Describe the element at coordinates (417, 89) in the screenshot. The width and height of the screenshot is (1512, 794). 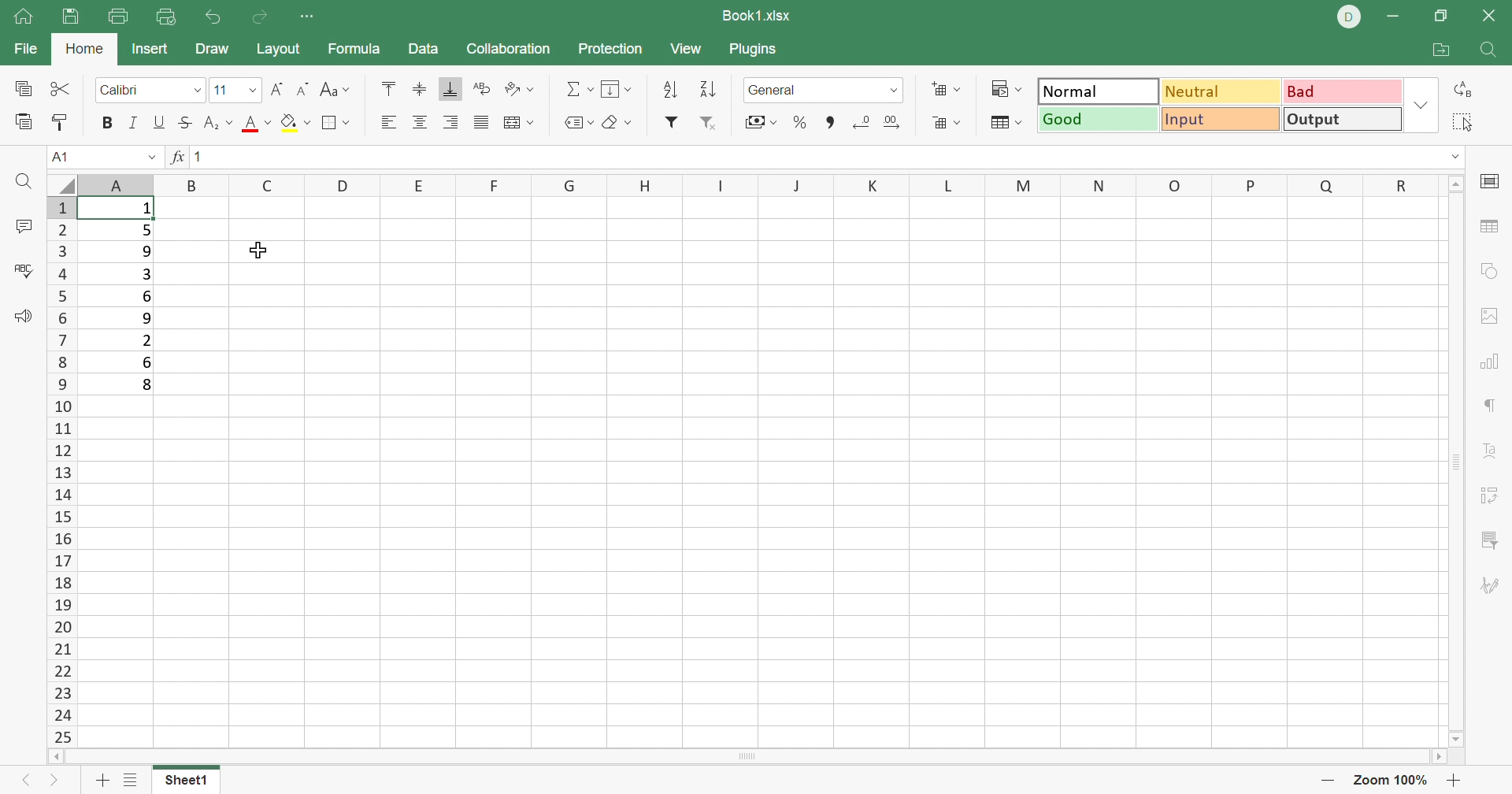
I see `Align Middle` at that location.